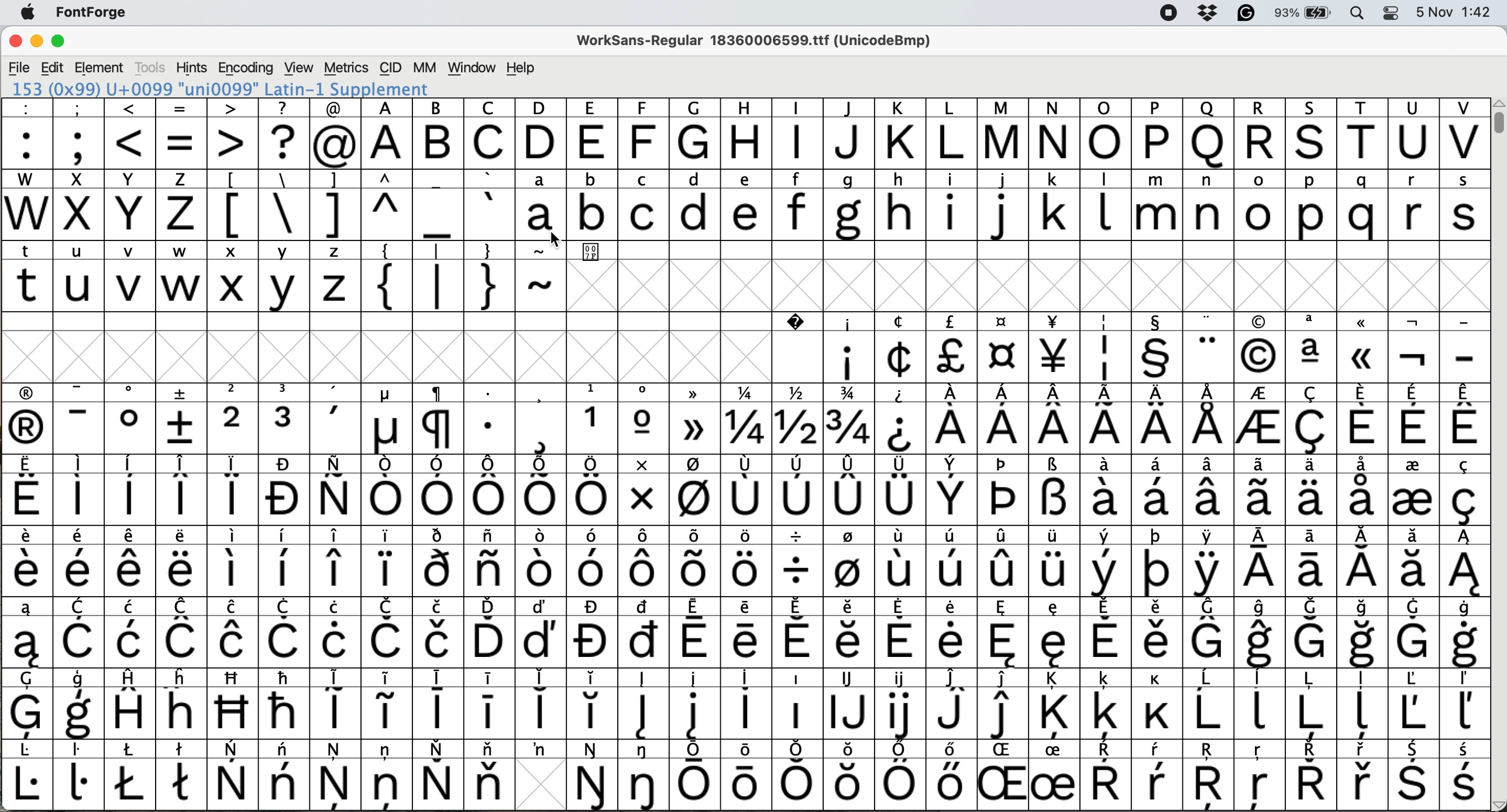 The height and width of the screenshot is (812, 1507). What do you see at coordinates (1157, 775) in the screenshot?
I see `symbol` at bounding box center [1157, 775].